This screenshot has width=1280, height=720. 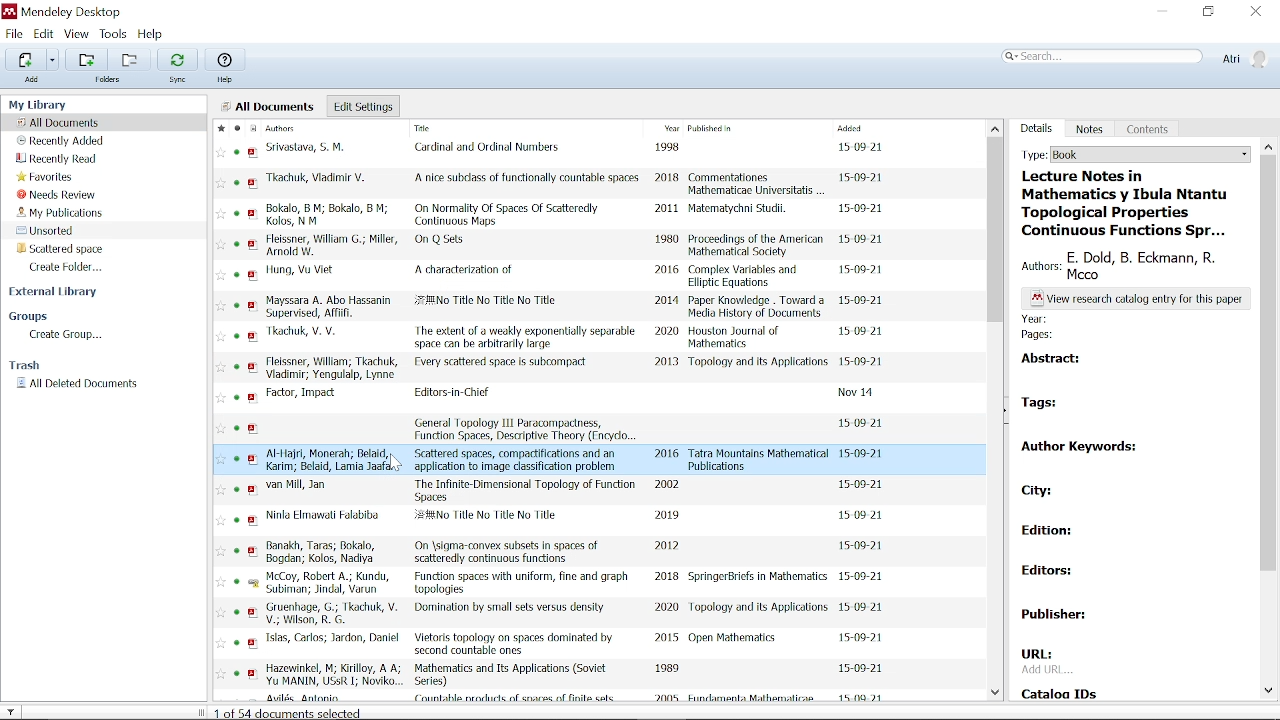 I want to click on authors, so click(x=330, y=307).